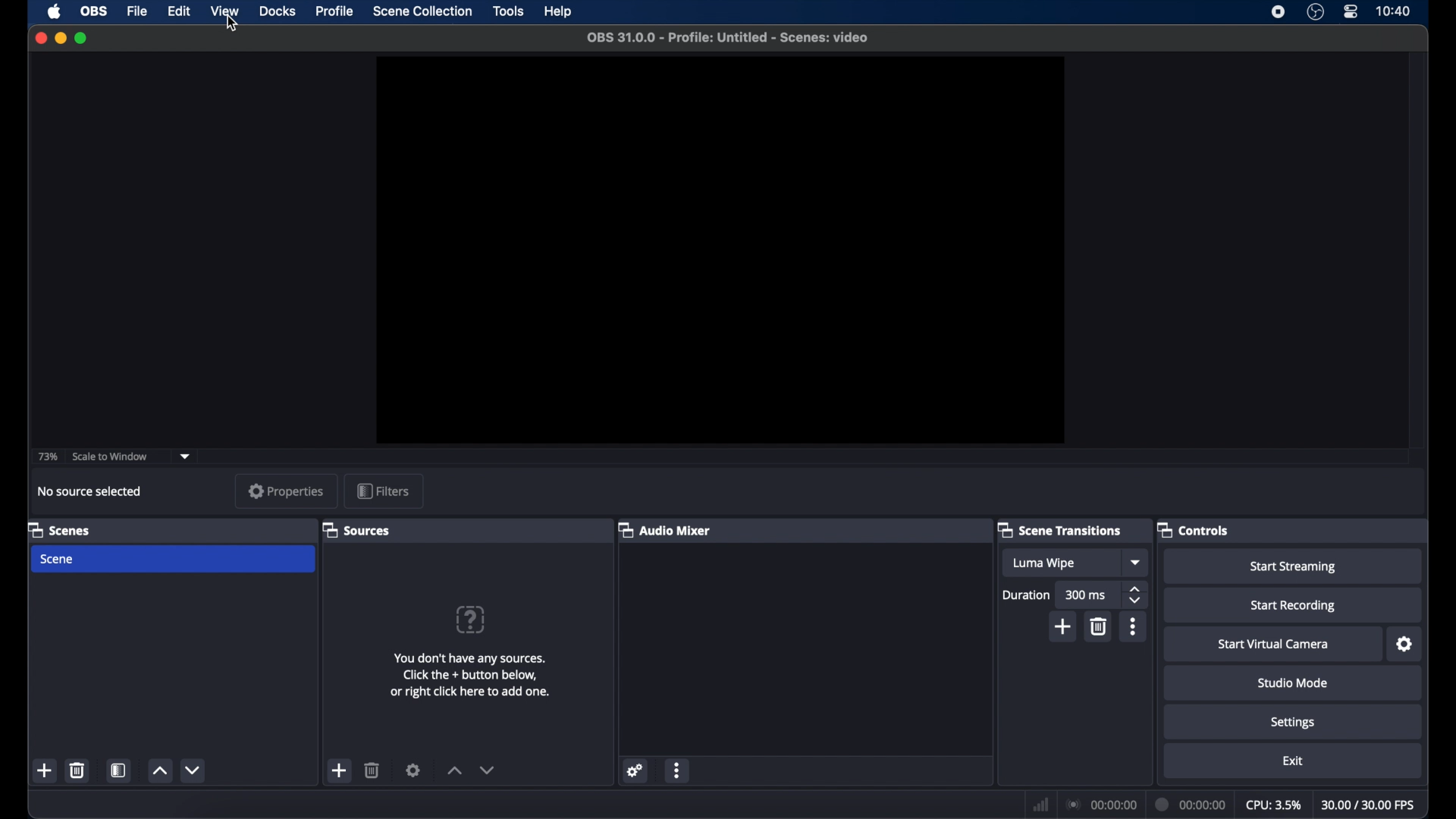  What do you see at coordinates (1062, 626) in the screenshot?
I see `add` at bounding box center [1062, 626].